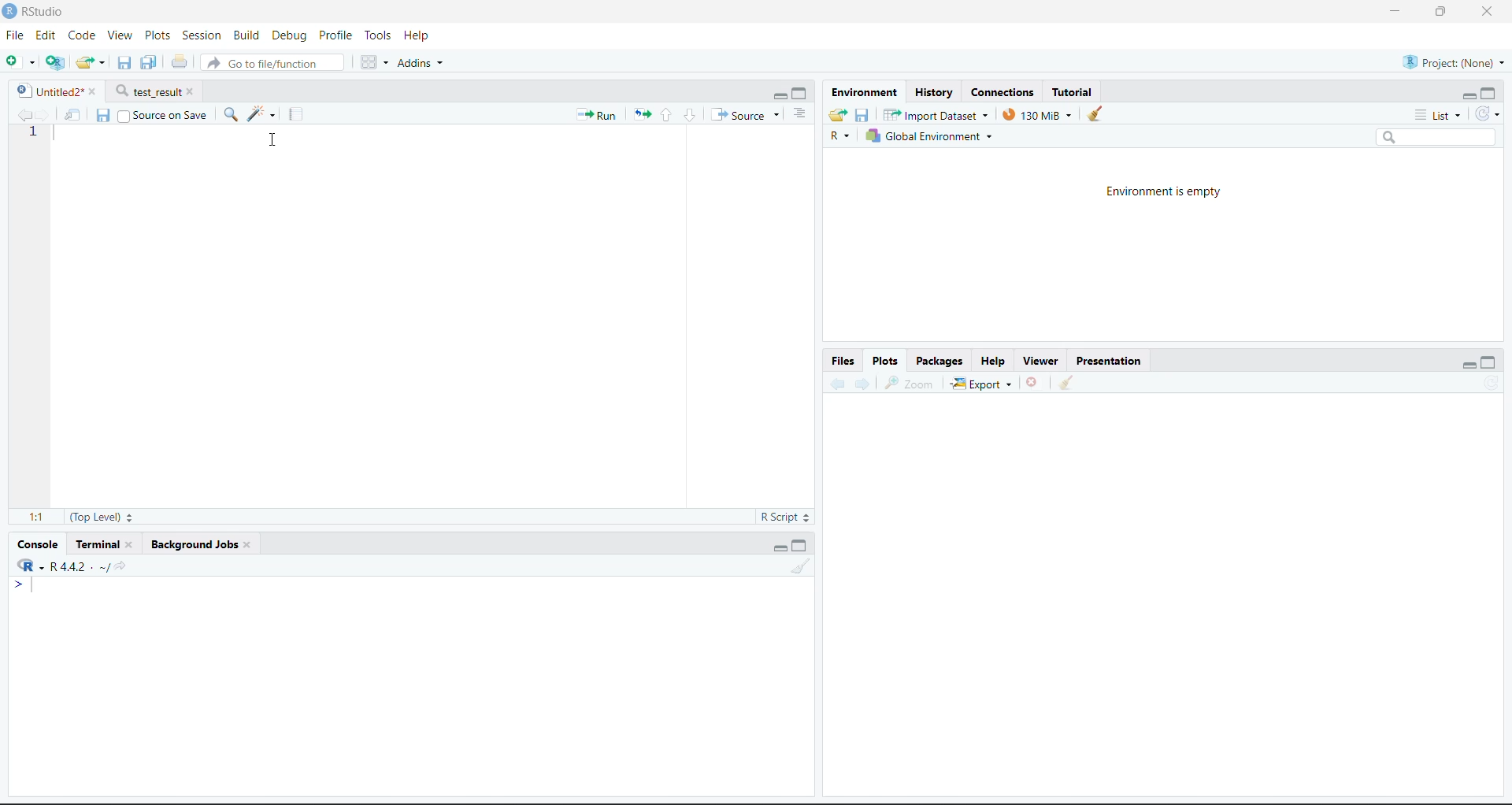 This screenshot has height=805, width=1512. What do you see at coordinates (41, 11) in the screenshot?
I see `RStudio` at bounding box center [41, 11].